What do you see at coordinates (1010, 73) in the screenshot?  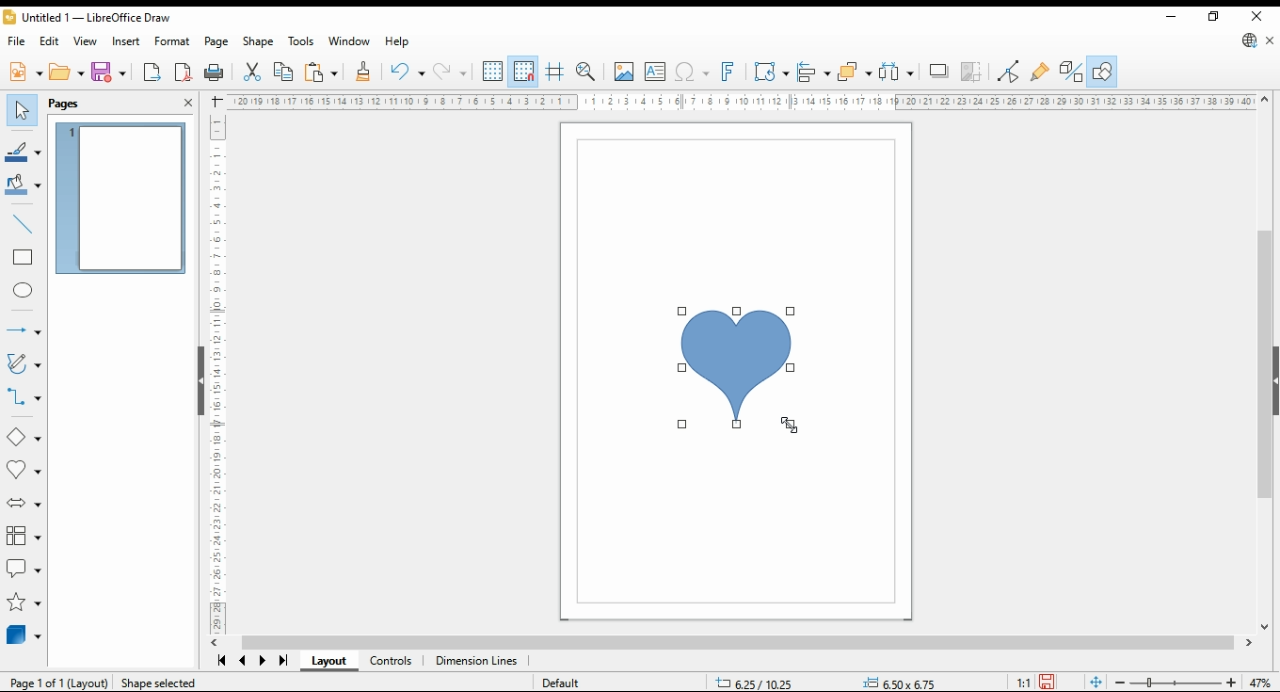 I see `toggle point edit mode` at bounding box center [1010, 73].